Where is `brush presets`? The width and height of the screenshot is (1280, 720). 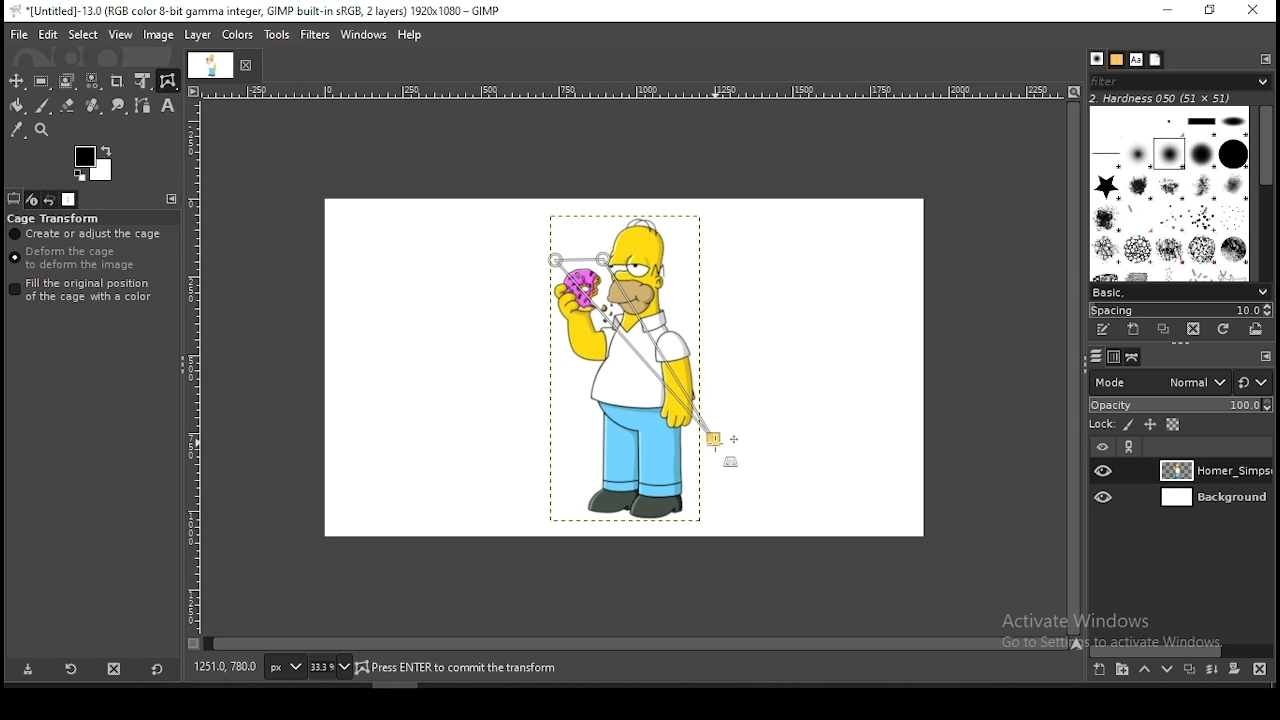 brush presets is located at coordinates (1181, 290).